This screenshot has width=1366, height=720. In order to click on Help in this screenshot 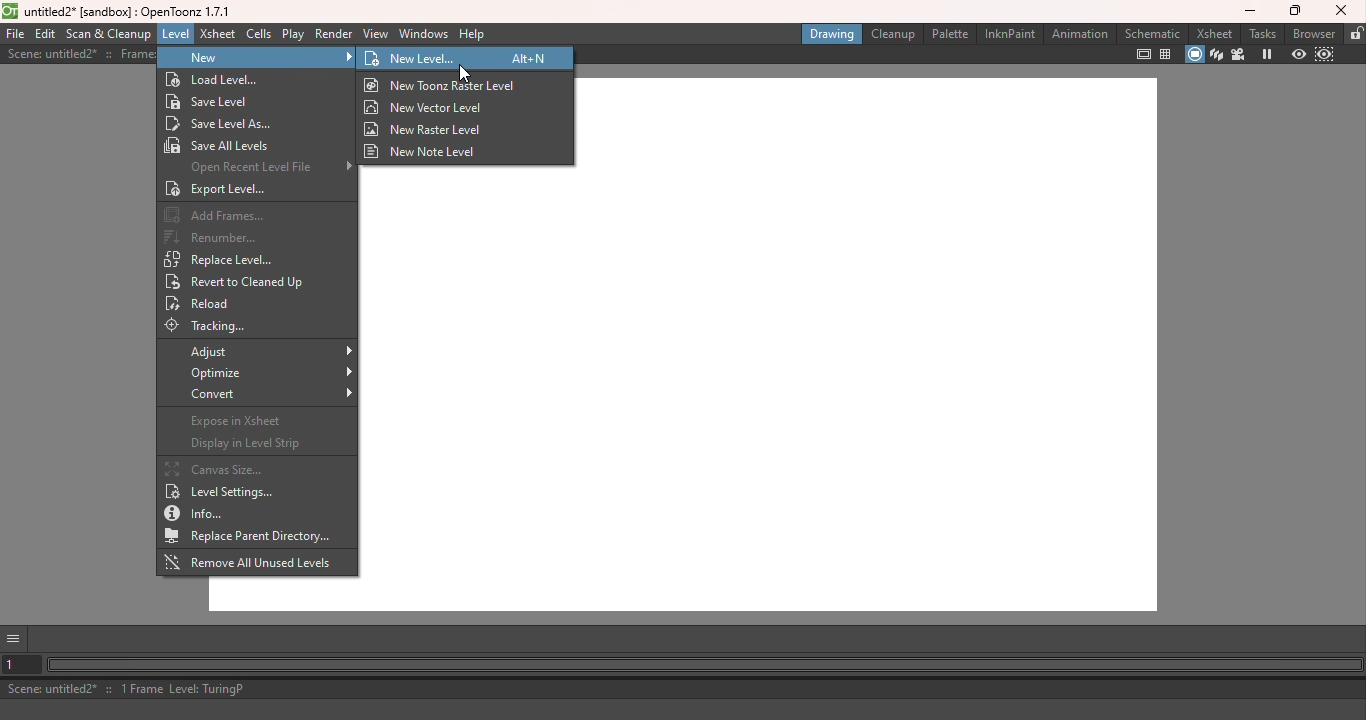, I will do `click(474, 35)`.